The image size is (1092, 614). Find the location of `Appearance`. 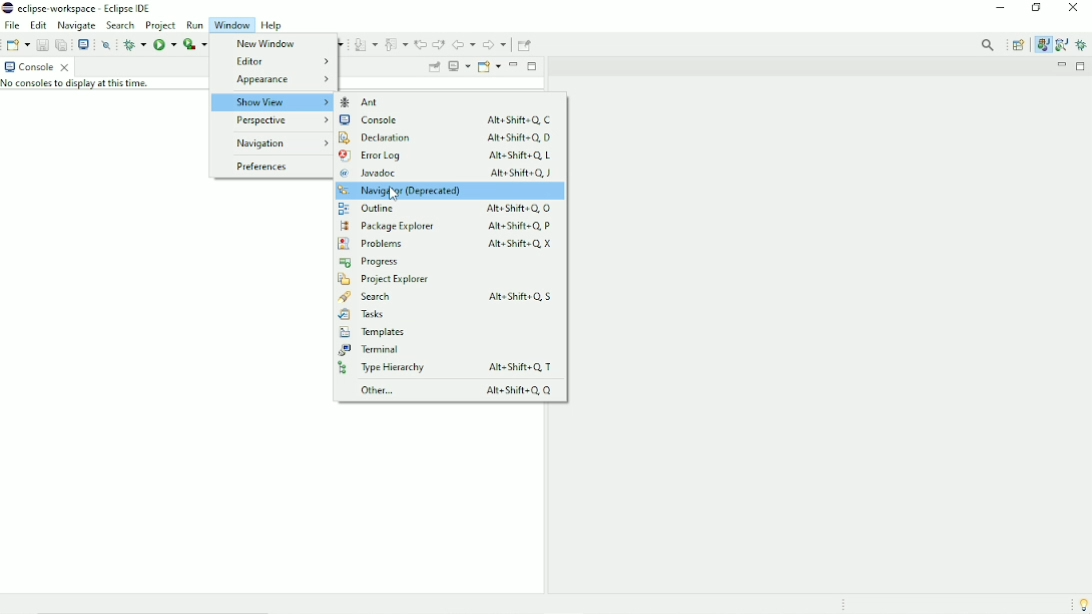

Appearance is located at coordinates (280, 79).